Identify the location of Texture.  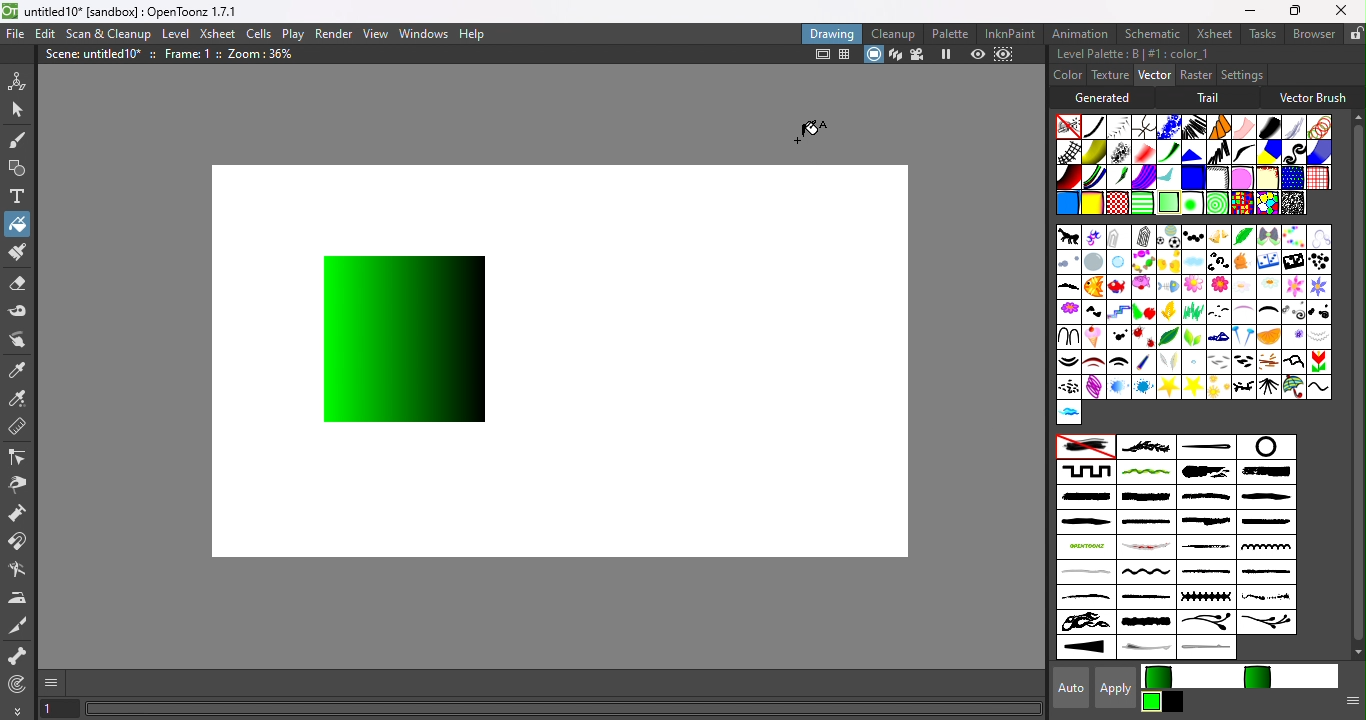
(1108, 75).